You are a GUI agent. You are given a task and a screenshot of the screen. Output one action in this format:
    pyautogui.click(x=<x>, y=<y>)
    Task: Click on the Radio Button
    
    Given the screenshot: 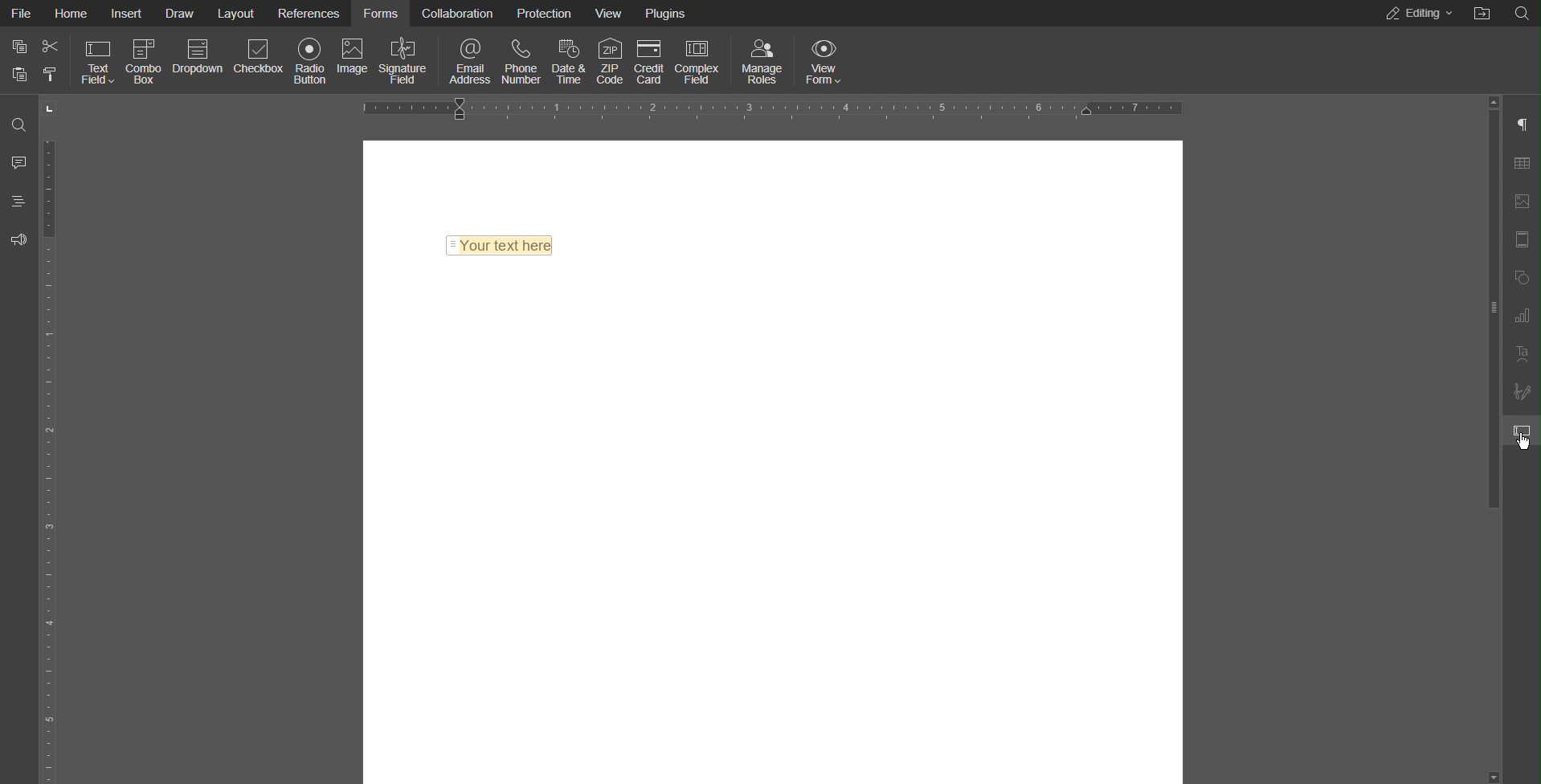 What is the action you would take?
    pyautogui.click(x=311, y=60)
    